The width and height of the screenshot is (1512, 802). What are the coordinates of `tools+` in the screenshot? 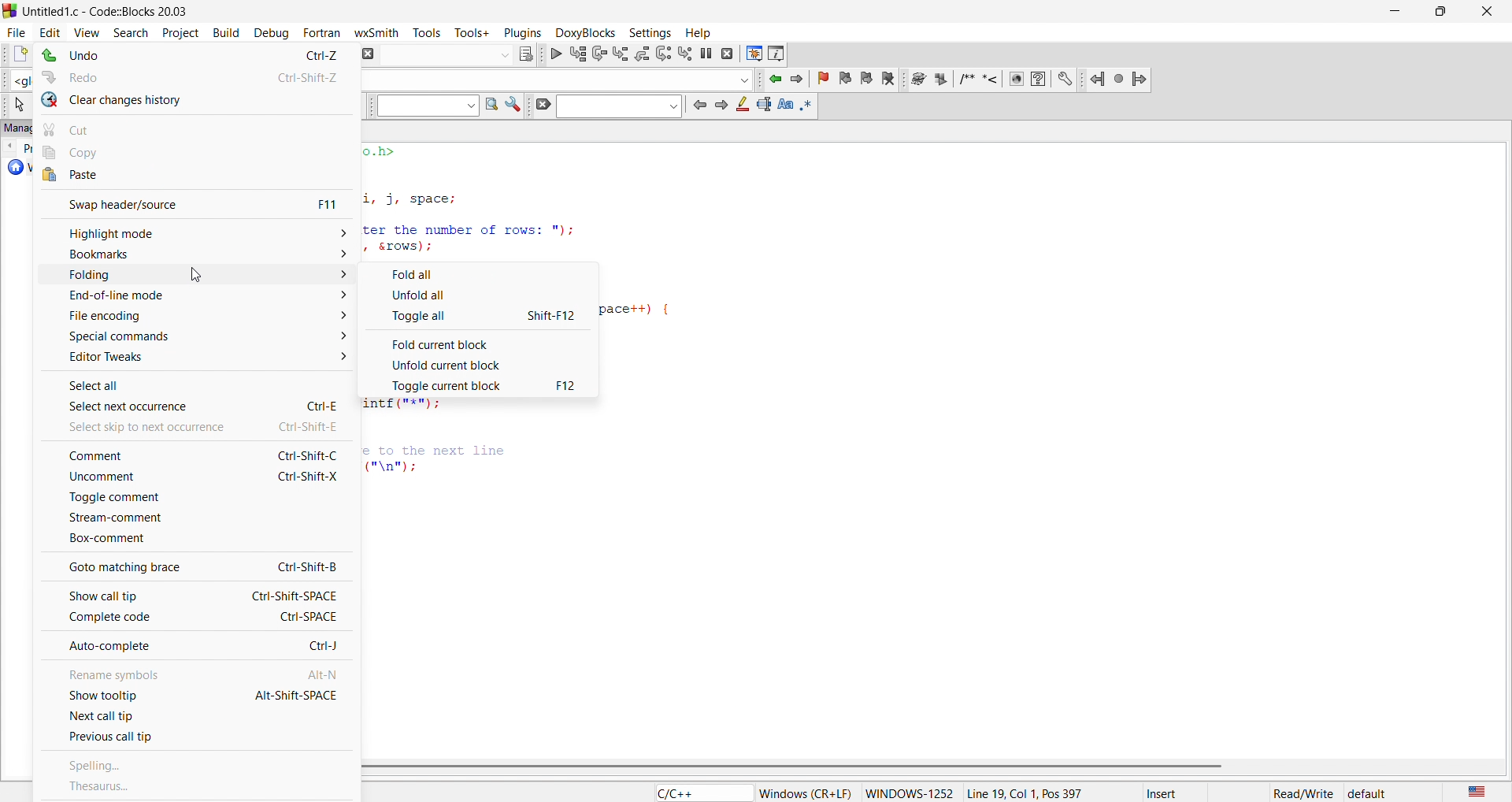 It's located at (472, 32).